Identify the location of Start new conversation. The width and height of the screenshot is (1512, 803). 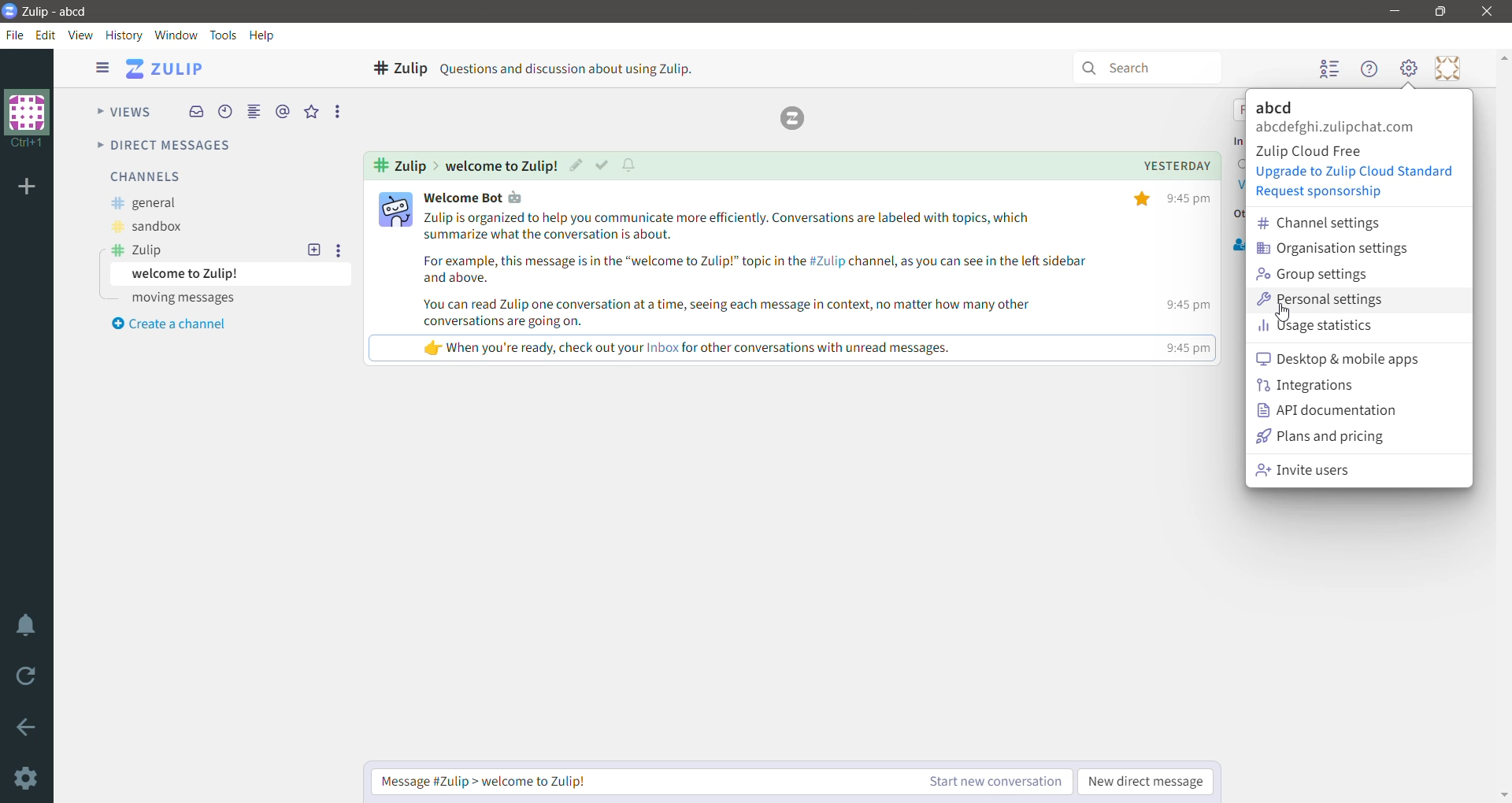
(994, 782).